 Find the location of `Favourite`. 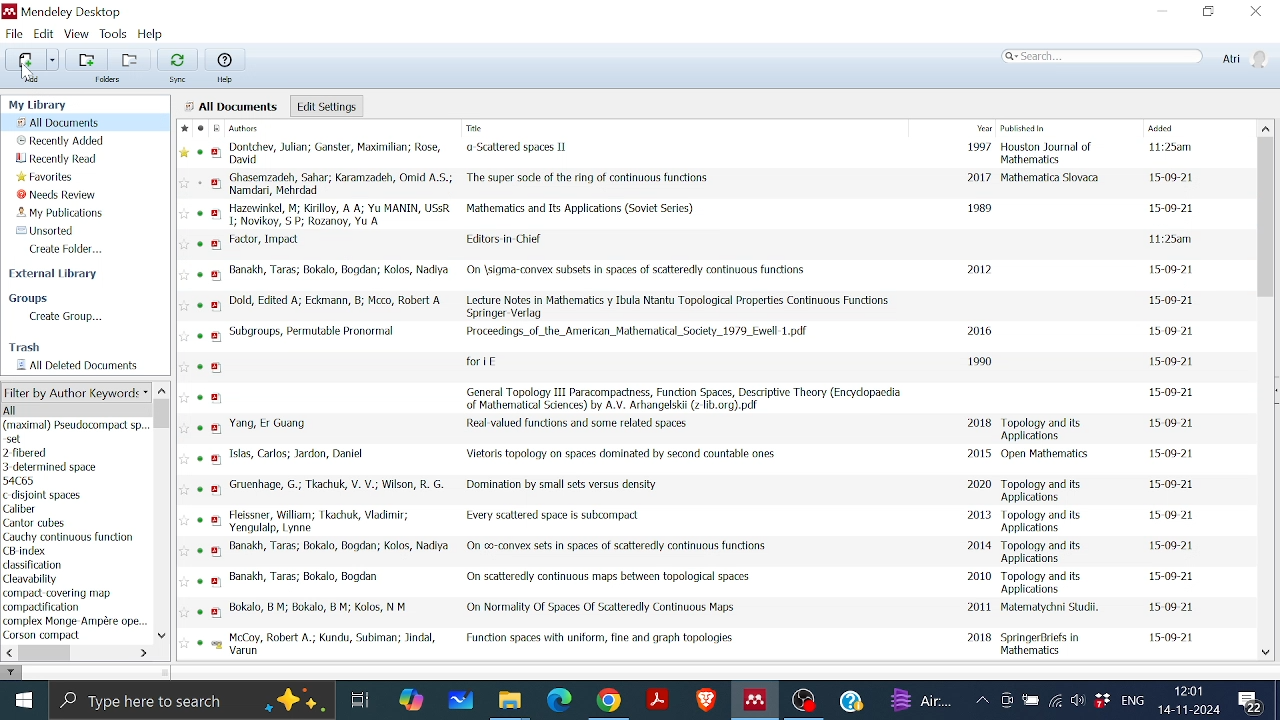

Favourite is located at coordinates (184, 276).